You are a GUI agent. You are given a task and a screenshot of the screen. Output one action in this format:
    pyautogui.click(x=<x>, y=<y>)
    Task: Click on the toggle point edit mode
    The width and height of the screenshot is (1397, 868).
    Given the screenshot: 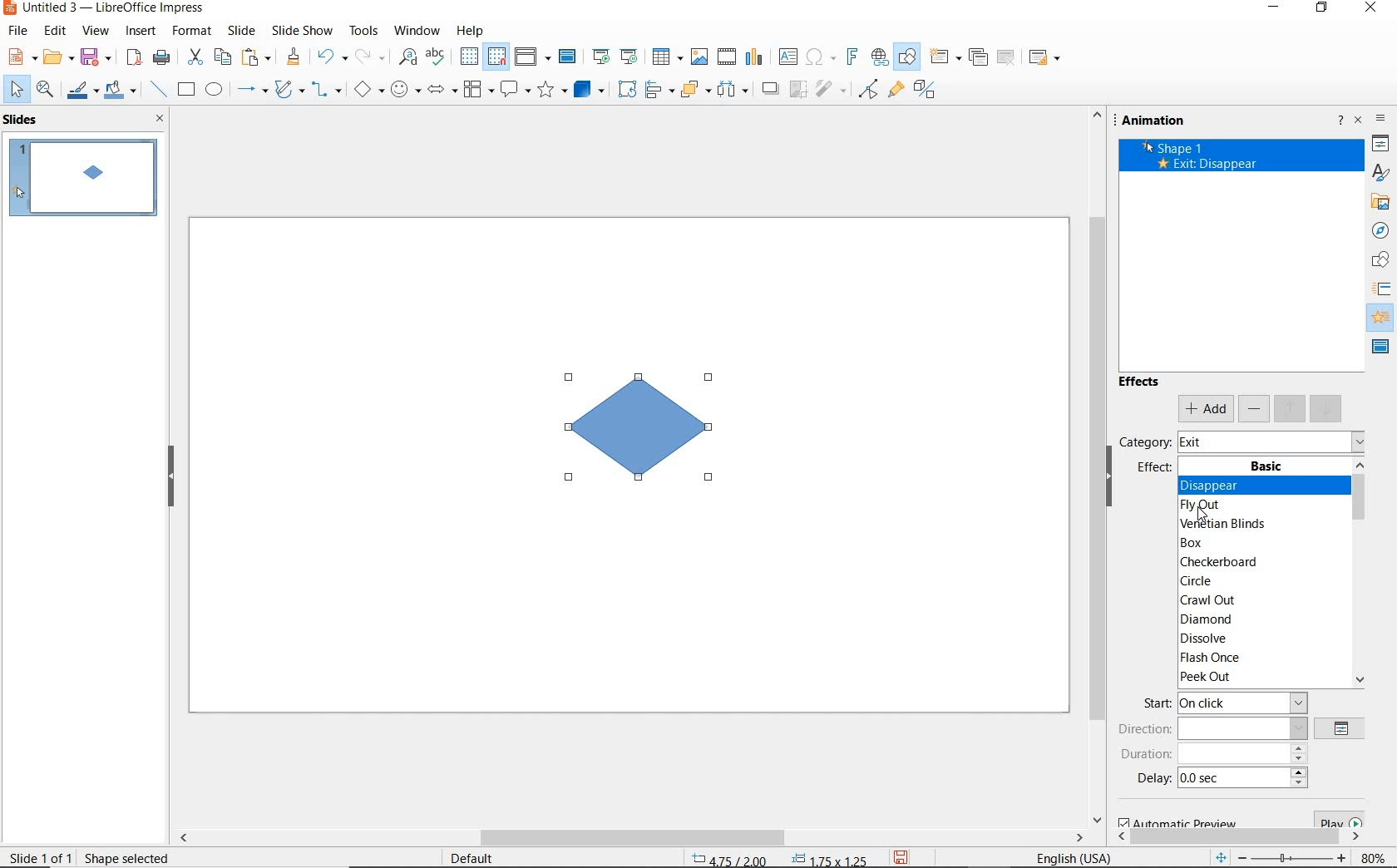 What is the action you would take?
    pyautogui.click(x=868, y=90)
    